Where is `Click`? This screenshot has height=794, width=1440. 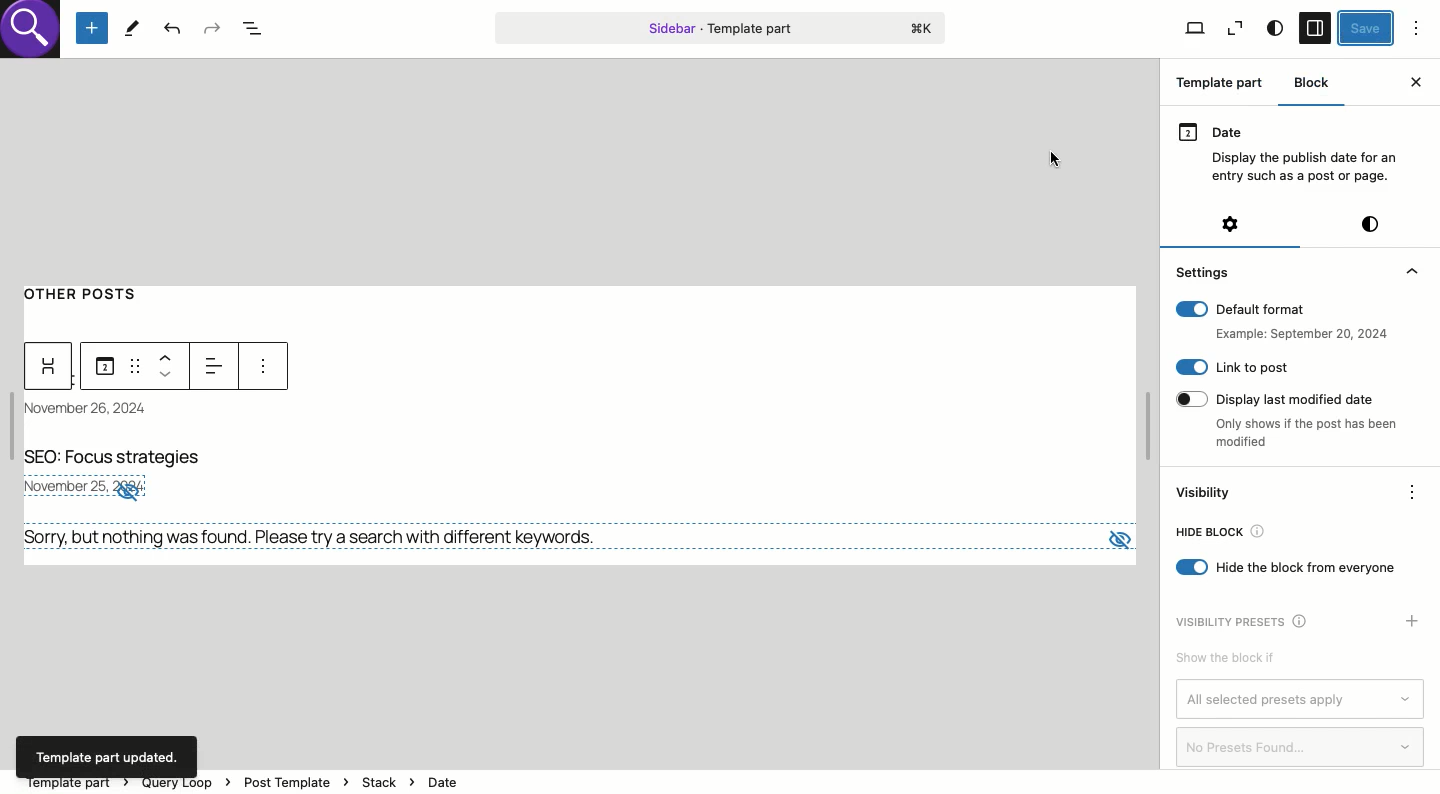 Click is located at coordinates (1057, 158).